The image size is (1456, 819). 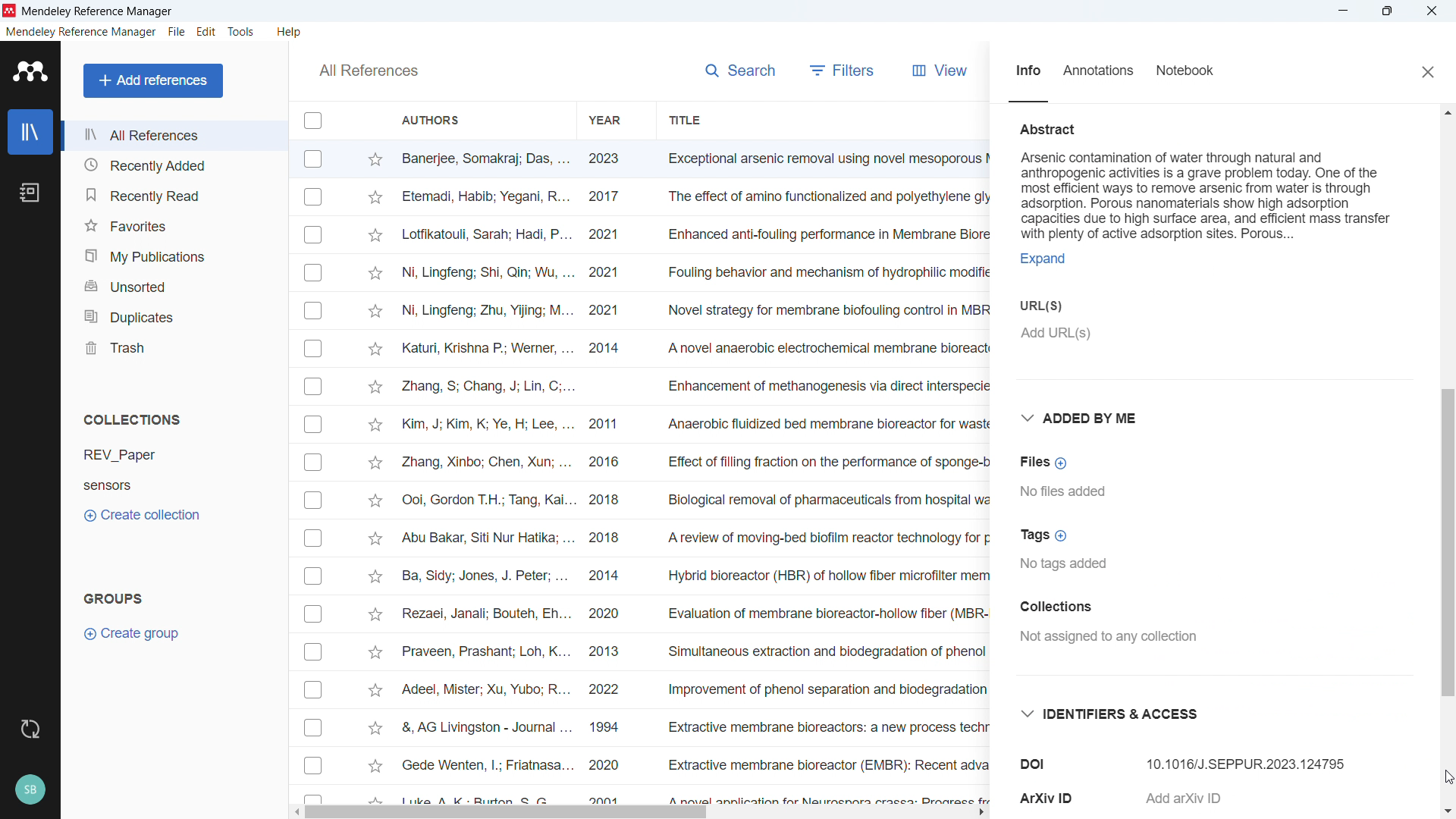 What do you see at coordinates (608, 798) in the screenshot?
I see `2001` at bounding box center [608, 798].